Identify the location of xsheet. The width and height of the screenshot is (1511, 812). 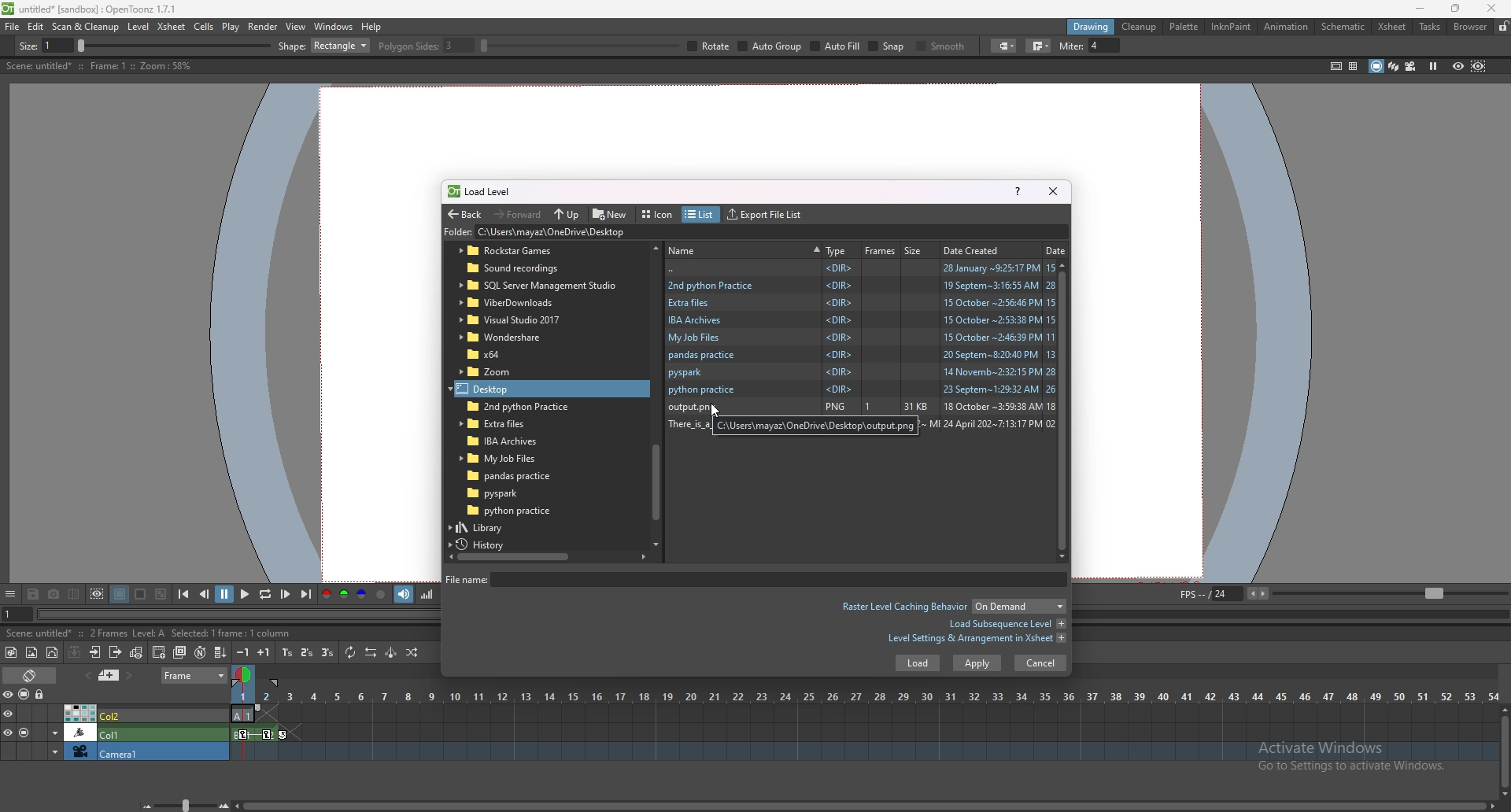
(172, 26).